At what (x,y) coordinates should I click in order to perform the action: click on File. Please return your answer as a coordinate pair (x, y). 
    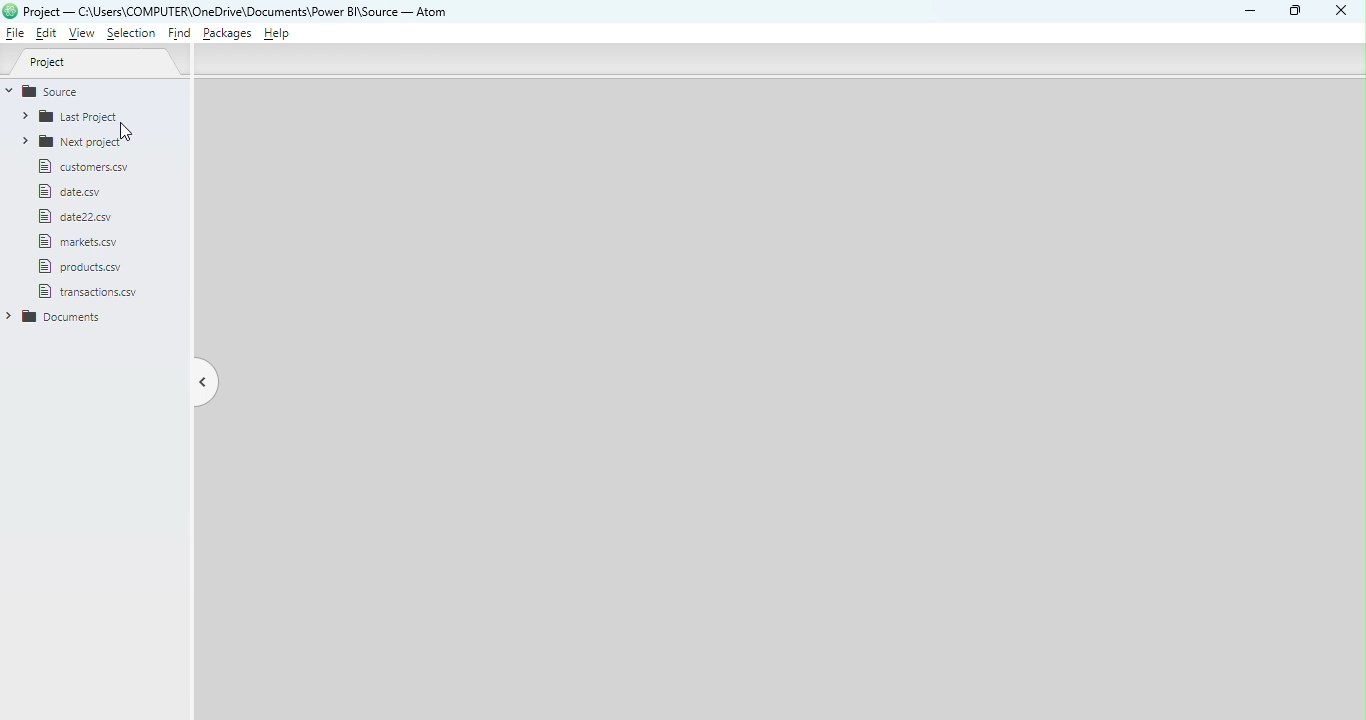
    Looking at the image, I should click on (17, 34).